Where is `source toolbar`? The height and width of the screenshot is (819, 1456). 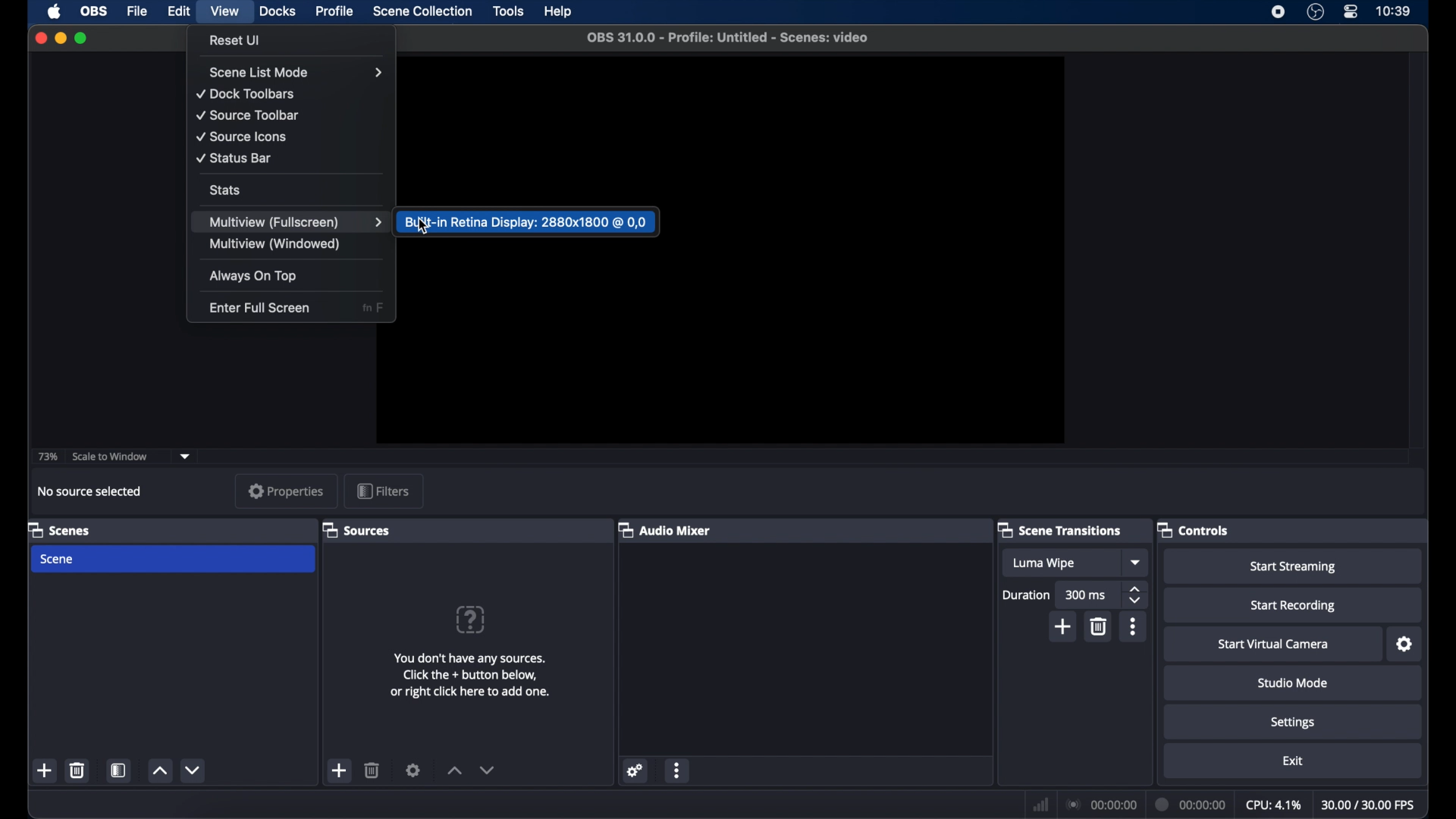
source toolbar is located at coordinates (249, 115).